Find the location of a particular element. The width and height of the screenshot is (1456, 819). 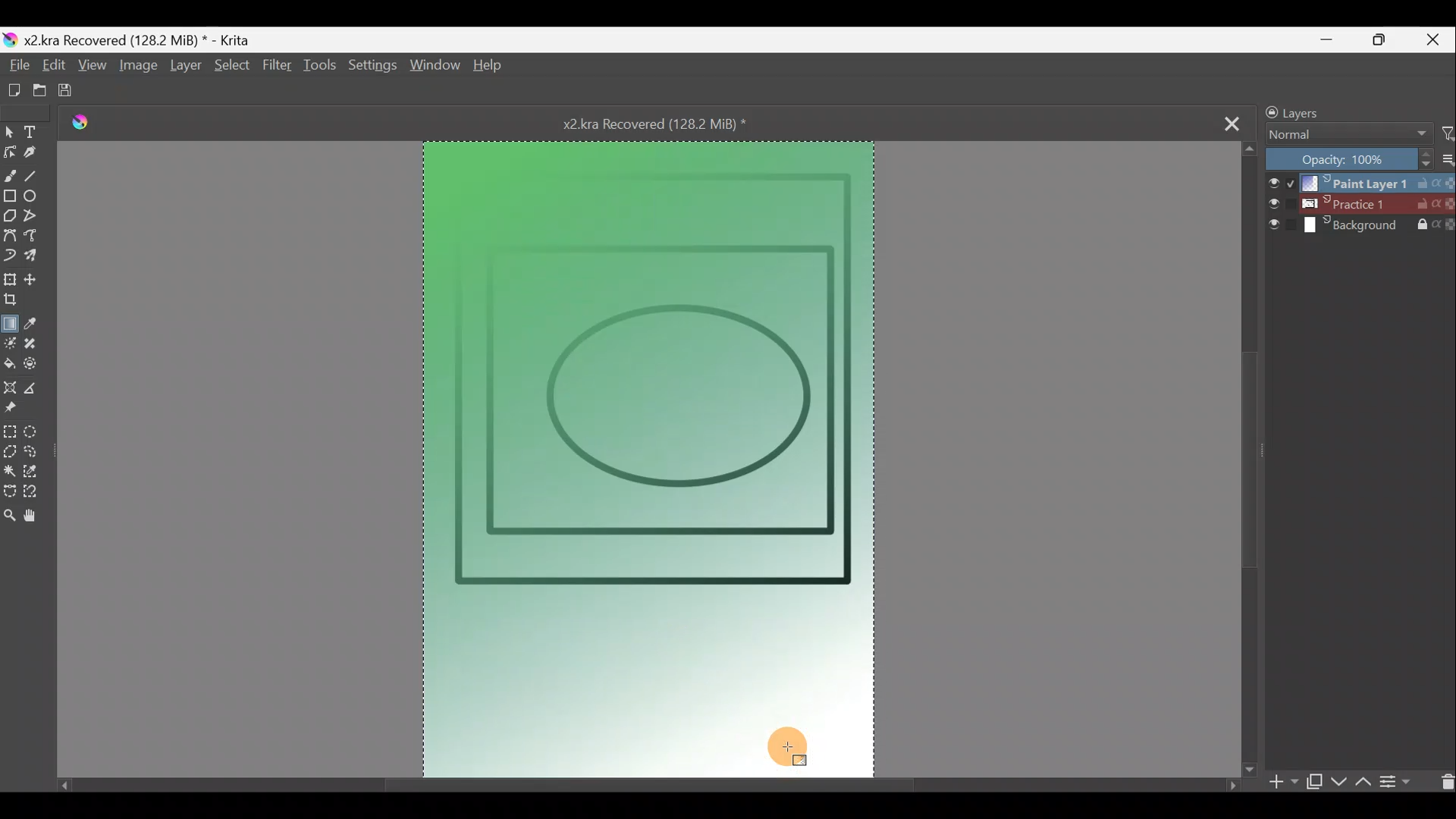

Minimise is located at coordinates (1334, 39).